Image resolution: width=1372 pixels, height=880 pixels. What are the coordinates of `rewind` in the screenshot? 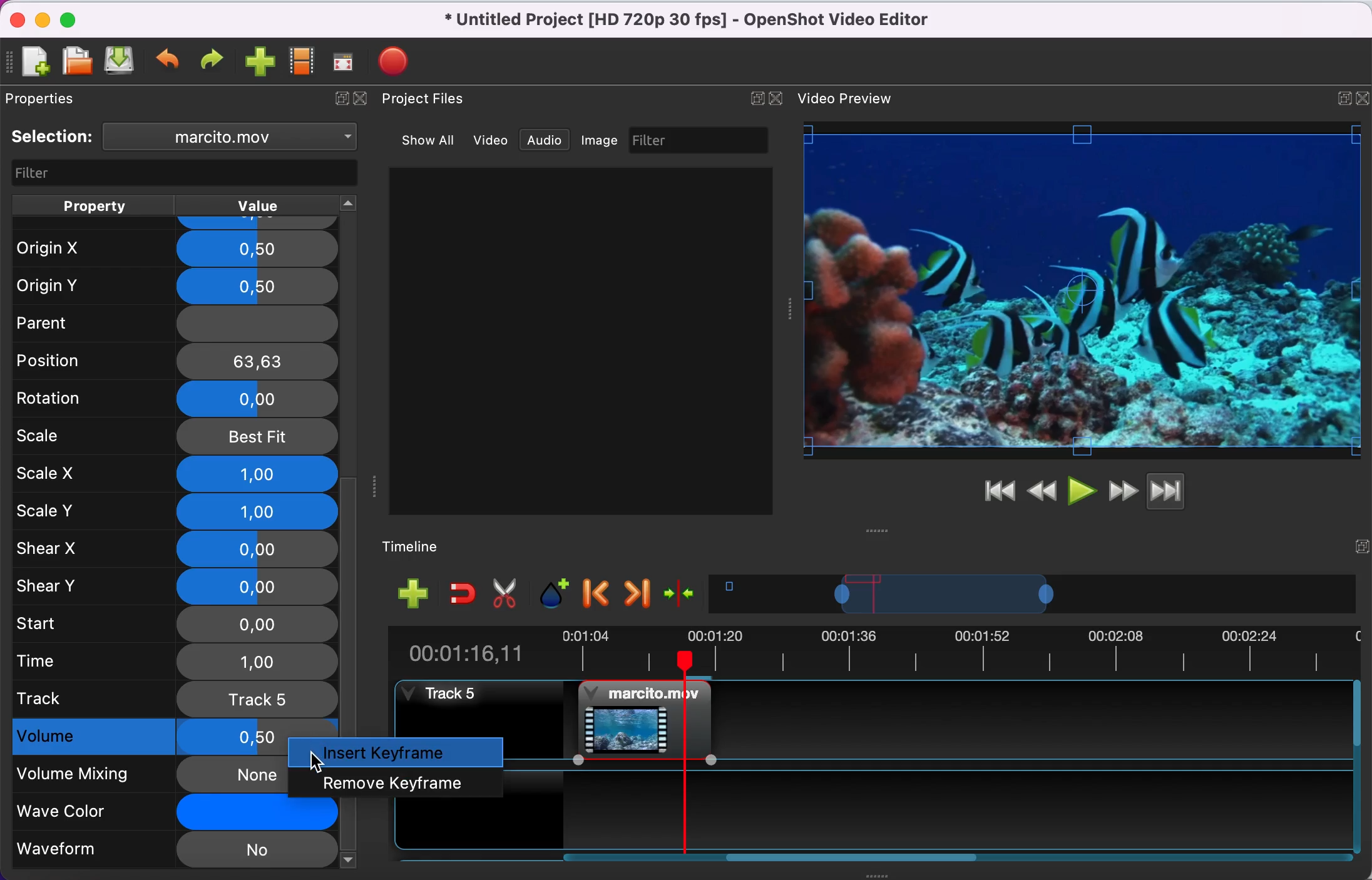 It's located at (1043, 489).